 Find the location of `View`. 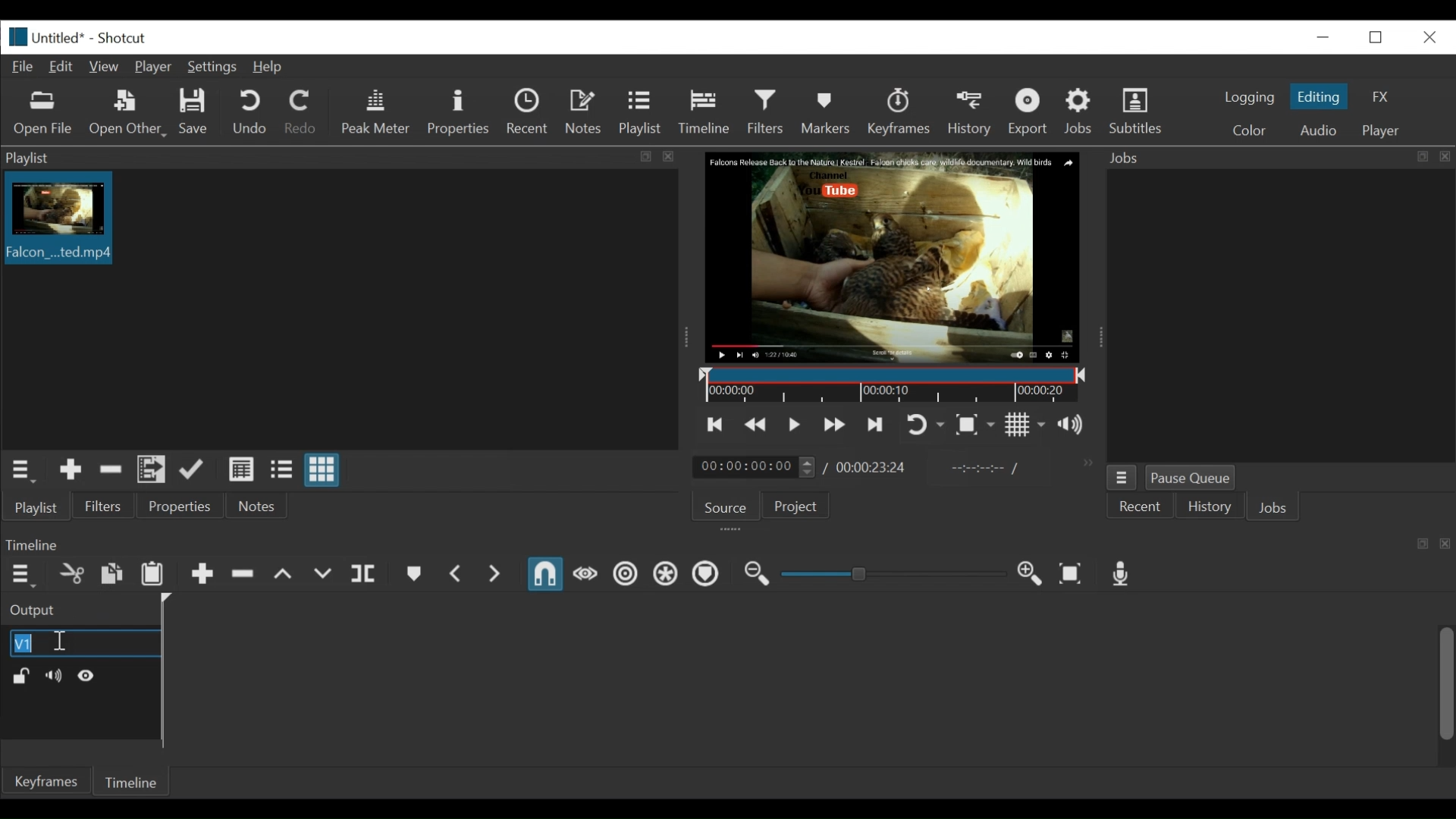

View is located at coordinates (105, 66).